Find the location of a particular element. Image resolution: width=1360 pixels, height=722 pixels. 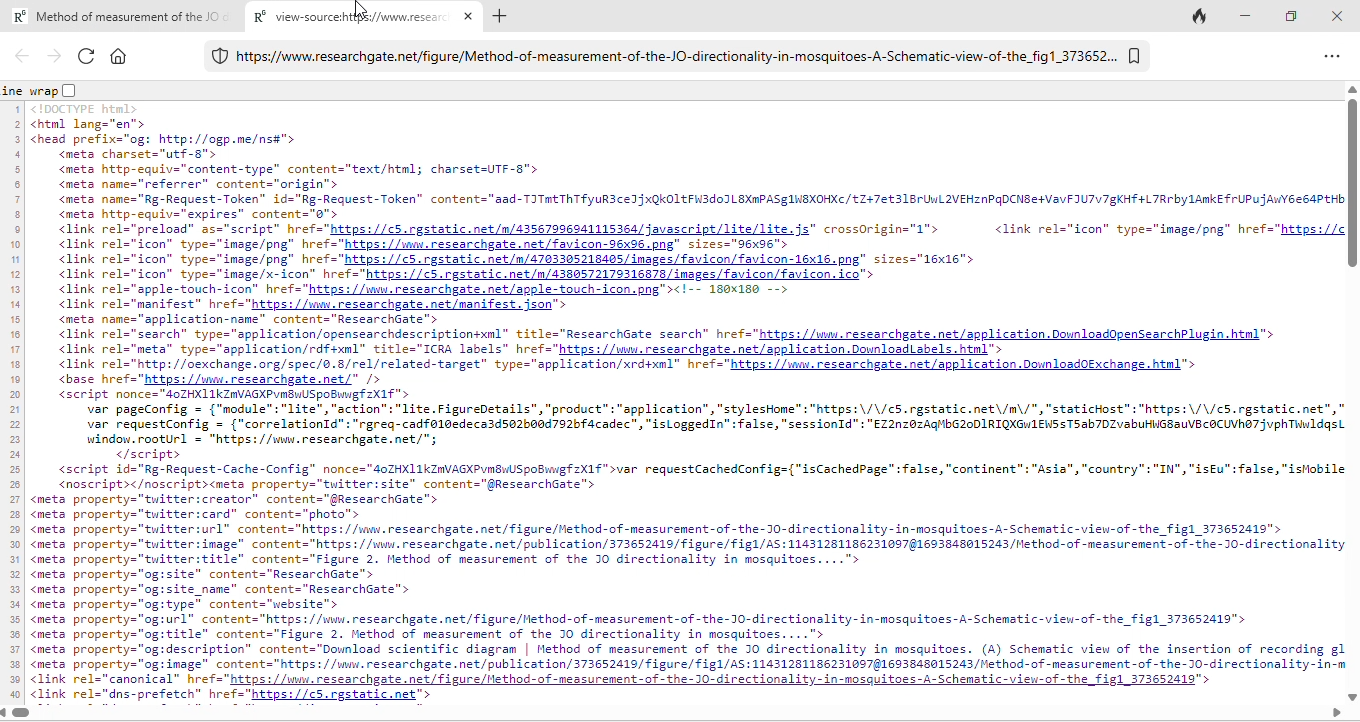

move right is located at coordinates (1340, 712).